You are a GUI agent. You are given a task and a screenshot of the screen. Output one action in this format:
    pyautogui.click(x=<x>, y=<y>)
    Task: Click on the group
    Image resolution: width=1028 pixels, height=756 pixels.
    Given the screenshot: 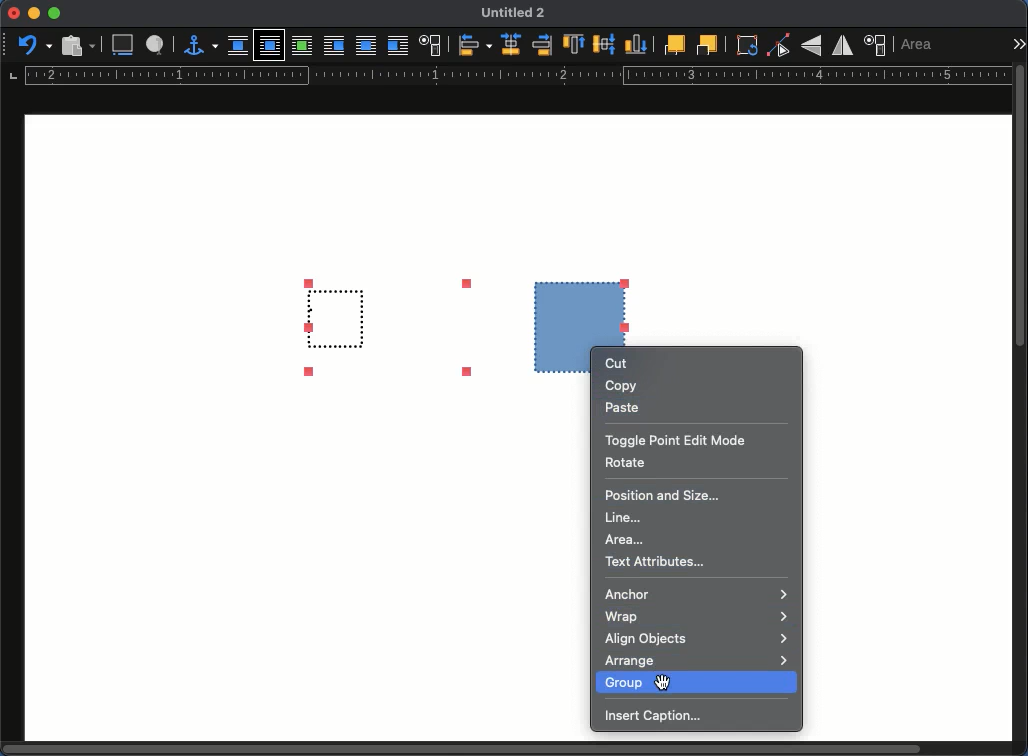 What is the action you would take?
    pyautogui.click(x=698, y=682)
    